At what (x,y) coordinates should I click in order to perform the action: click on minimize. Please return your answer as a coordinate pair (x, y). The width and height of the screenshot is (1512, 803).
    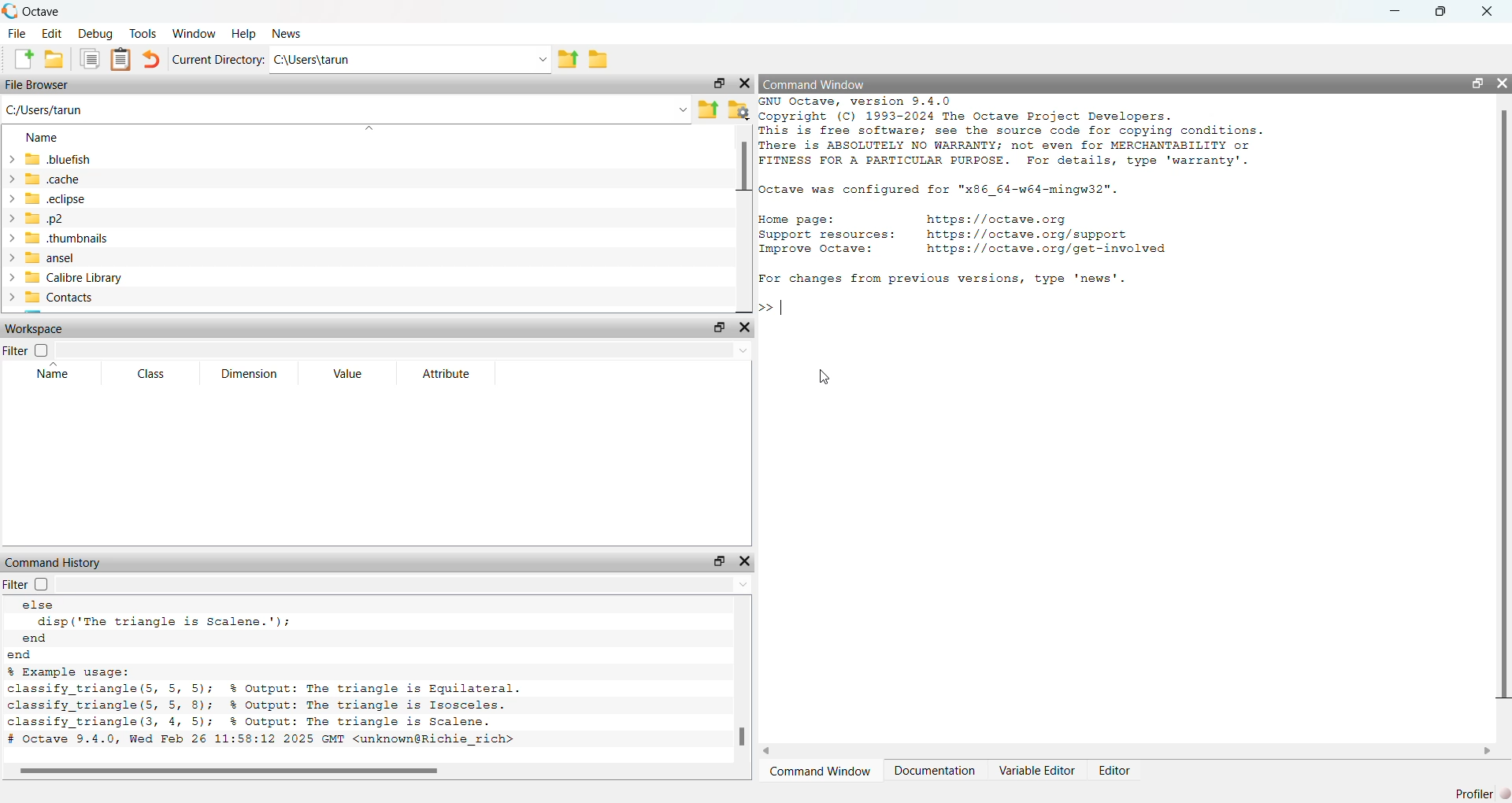
    Looking at the image, I should click on (1397, 10).